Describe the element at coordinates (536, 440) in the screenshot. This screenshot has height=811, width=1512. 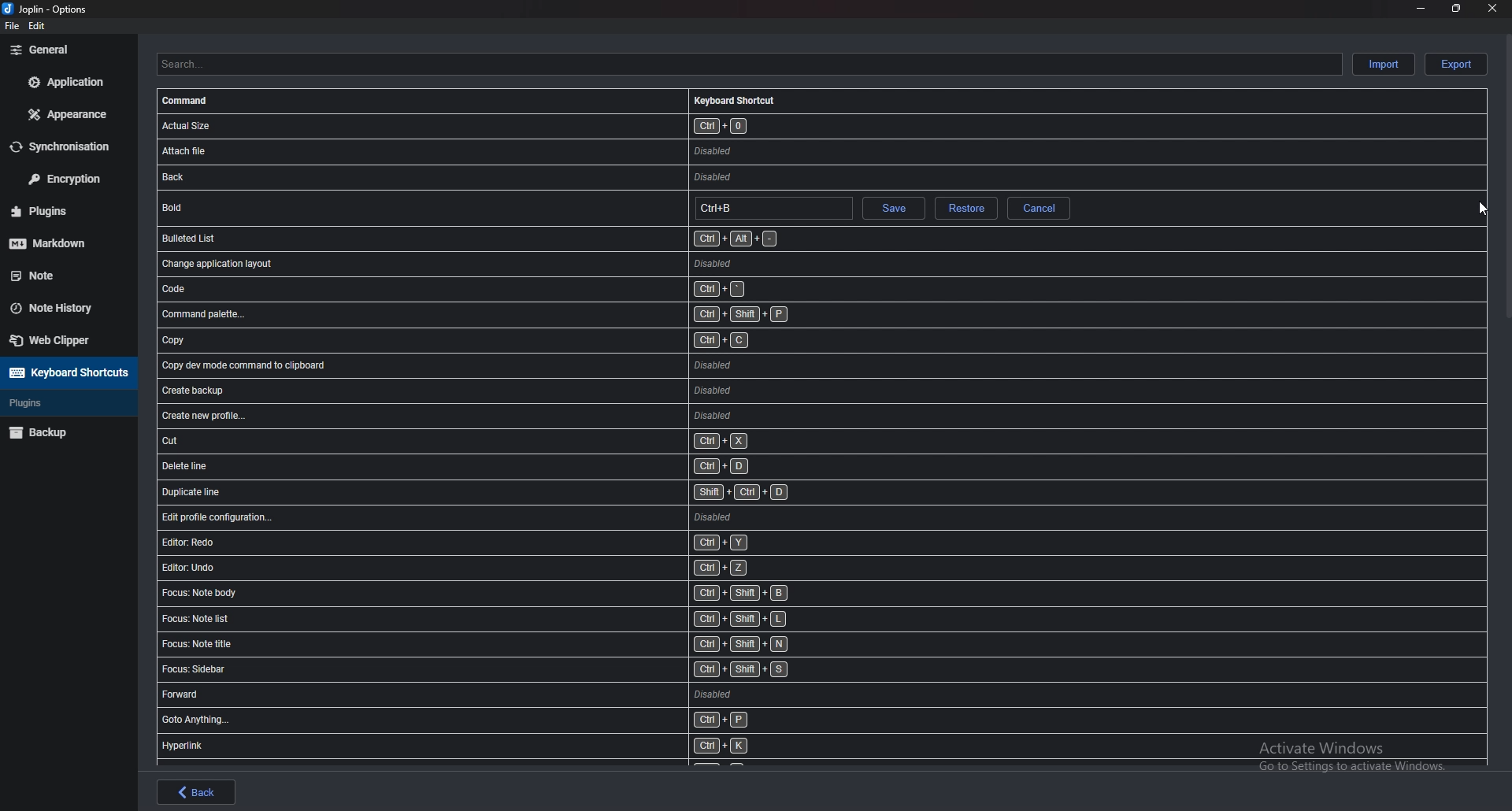
I see `shortcut` at that location.